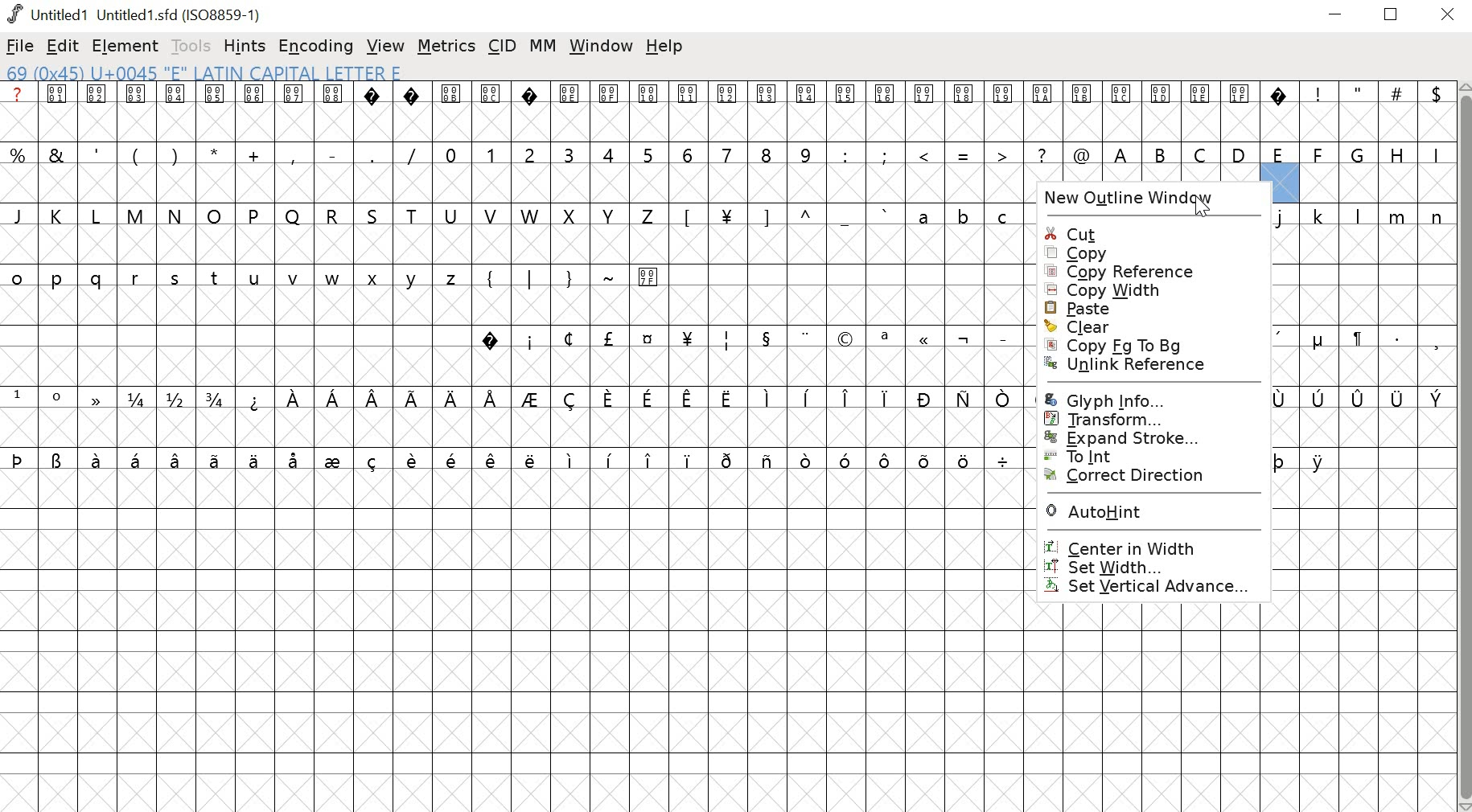 The width and height of the screenshot is (1472, 812). I want to click on CORRECT DIRECTION, so click(1127, 478).